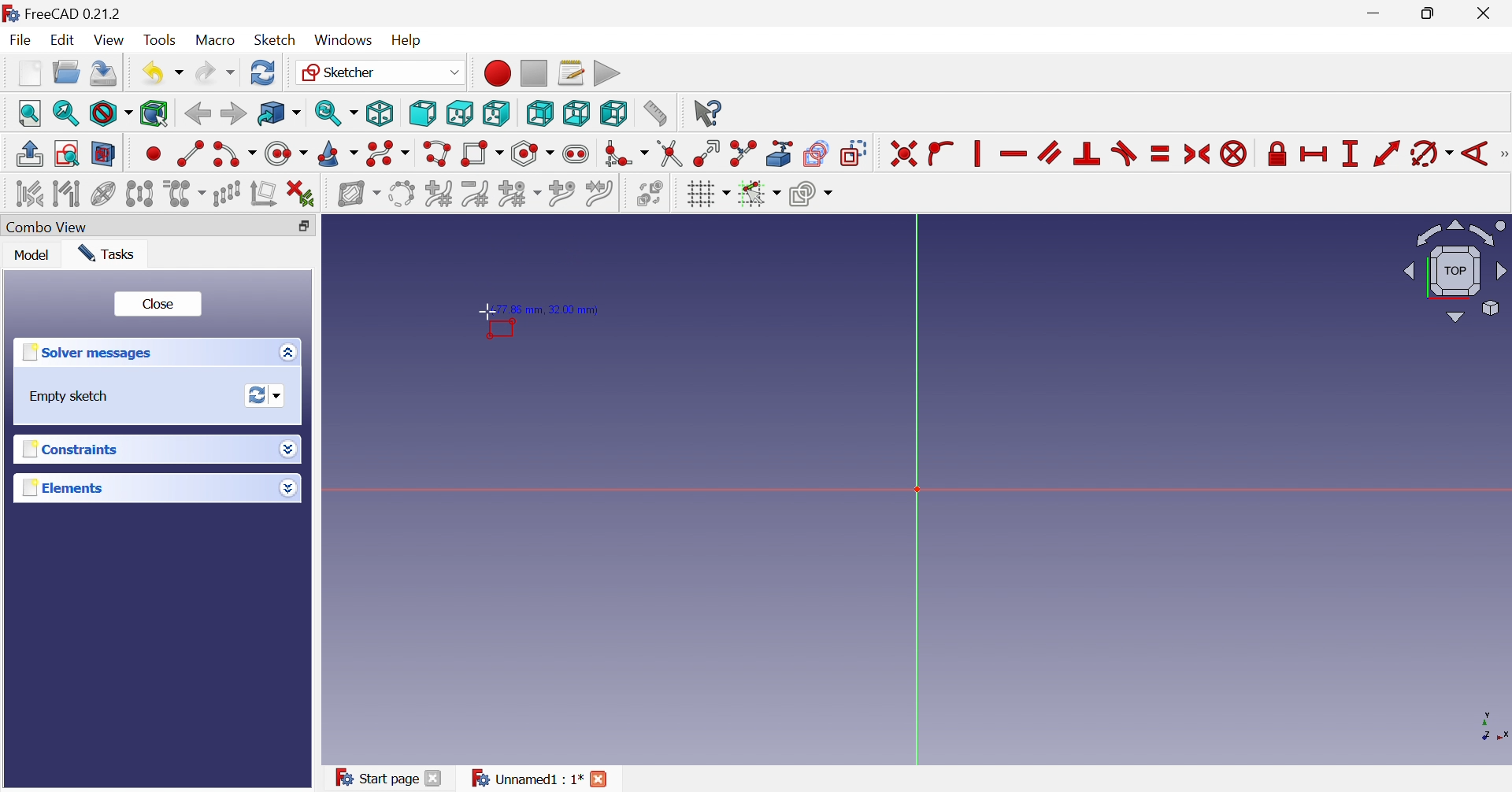  Describe the element at coordinates (436, 154) in the screenshot. I see `Create polyline` at that location.